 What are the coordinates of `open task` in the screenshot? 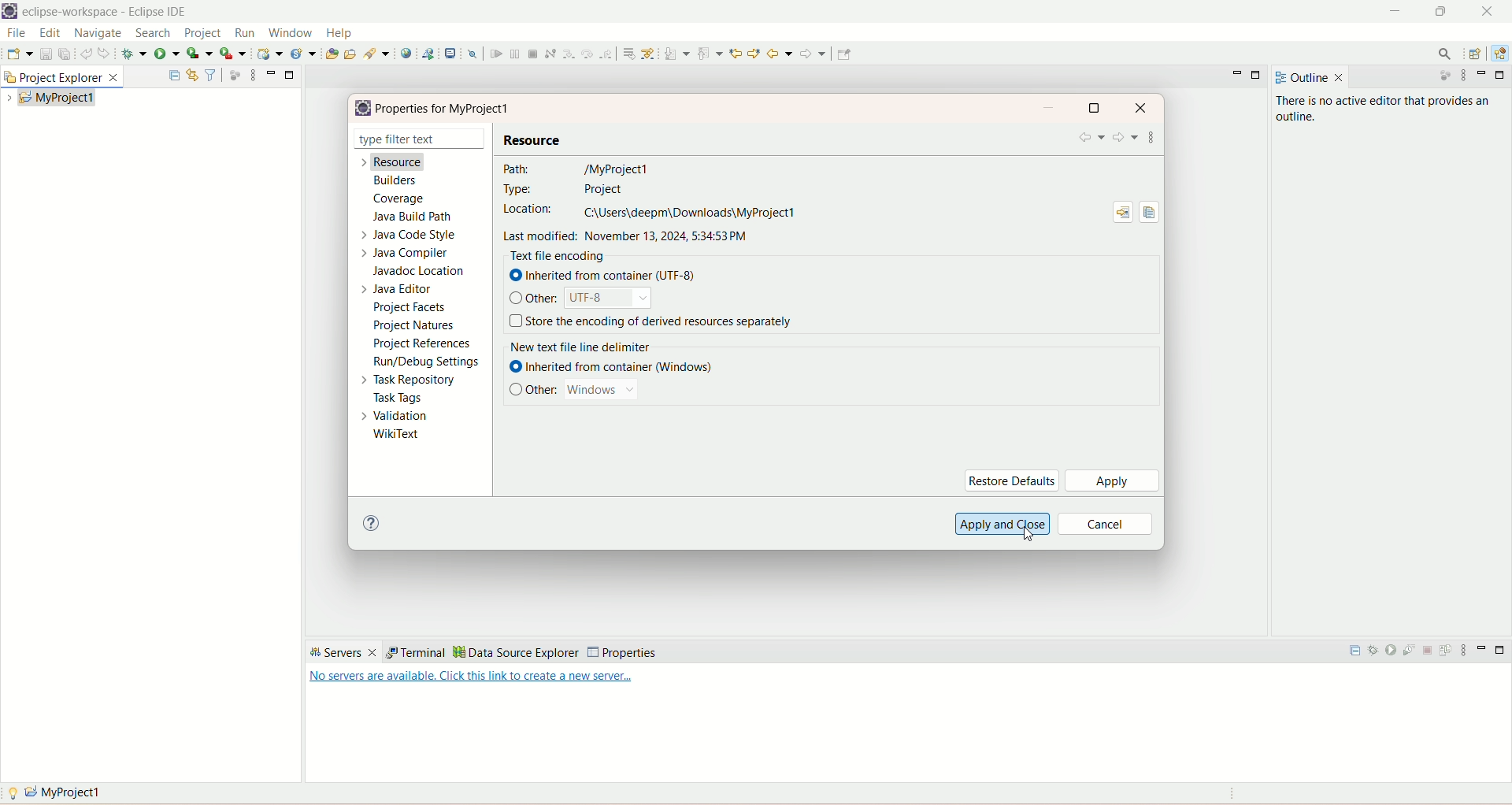 It's located at (351, 54).